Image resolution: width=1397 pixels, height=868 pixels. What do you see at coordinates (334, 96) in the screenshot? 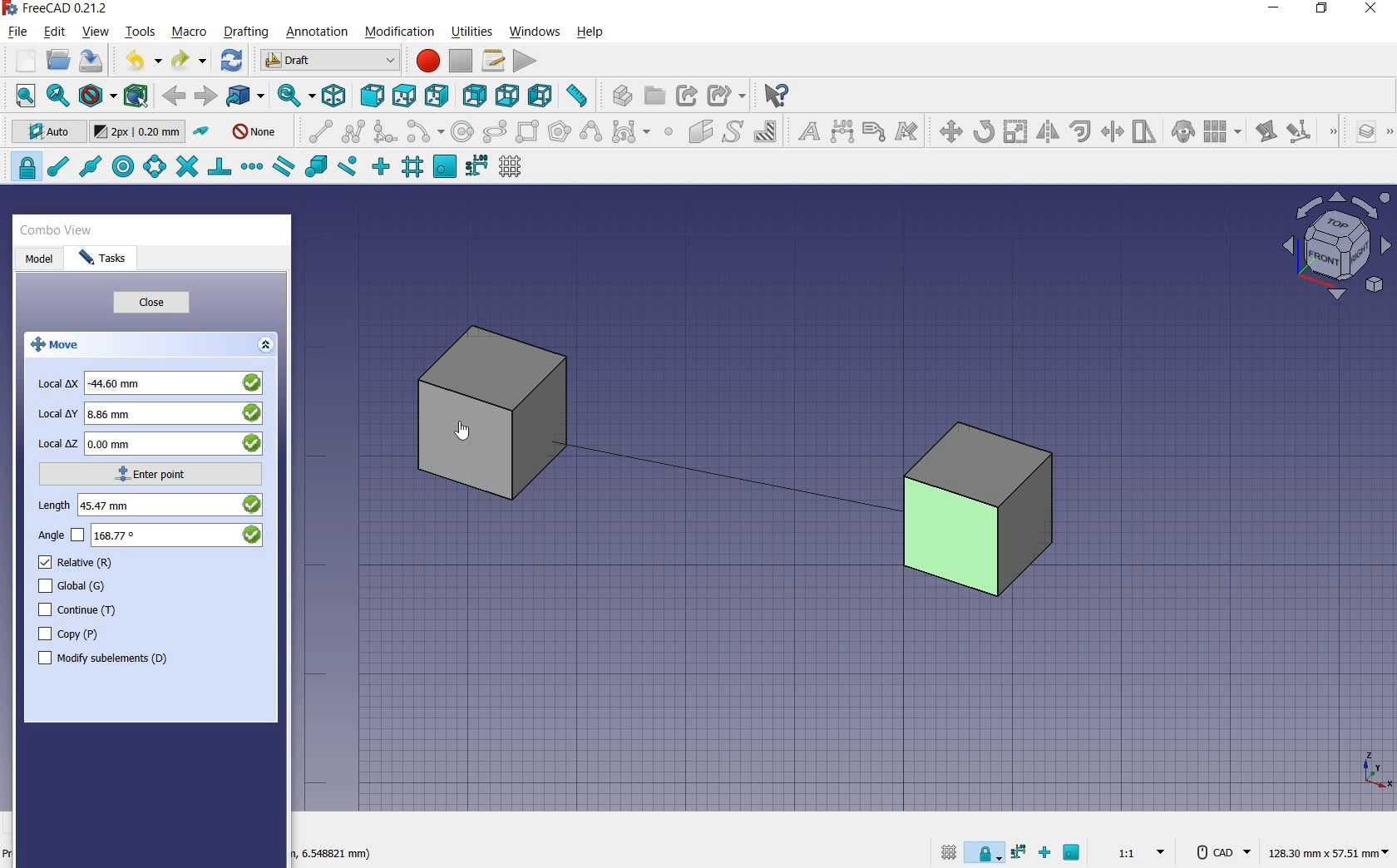
I see `isometric` at bounding box center [334, 96].